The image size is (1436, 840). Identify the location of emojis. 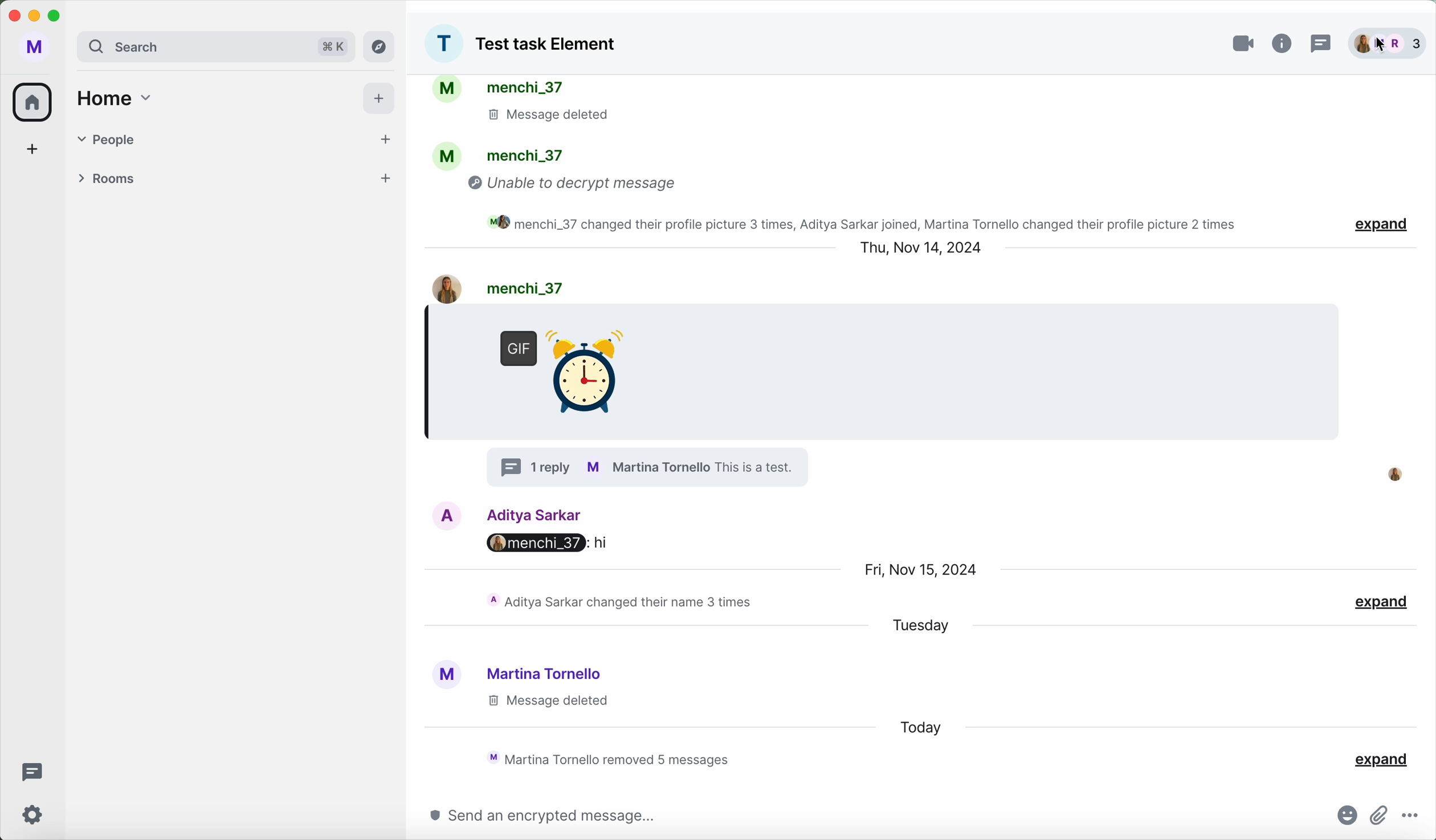
(1346, 816).